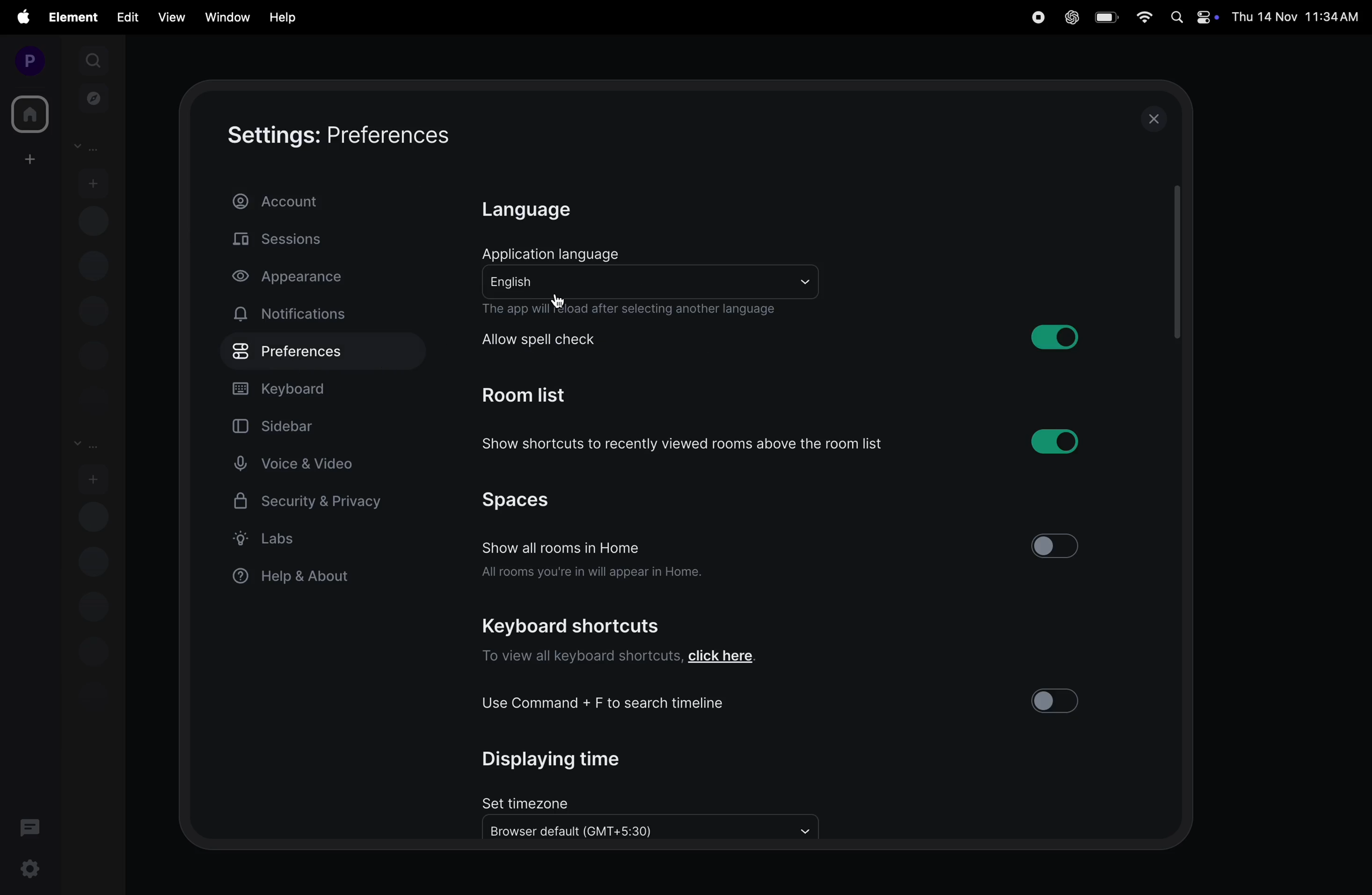 The height and width of the screenshot is (895, 1372). What do you see at coordinates (31, 111) in the screenshot?
I see `home` at bounding box center [31, 111].